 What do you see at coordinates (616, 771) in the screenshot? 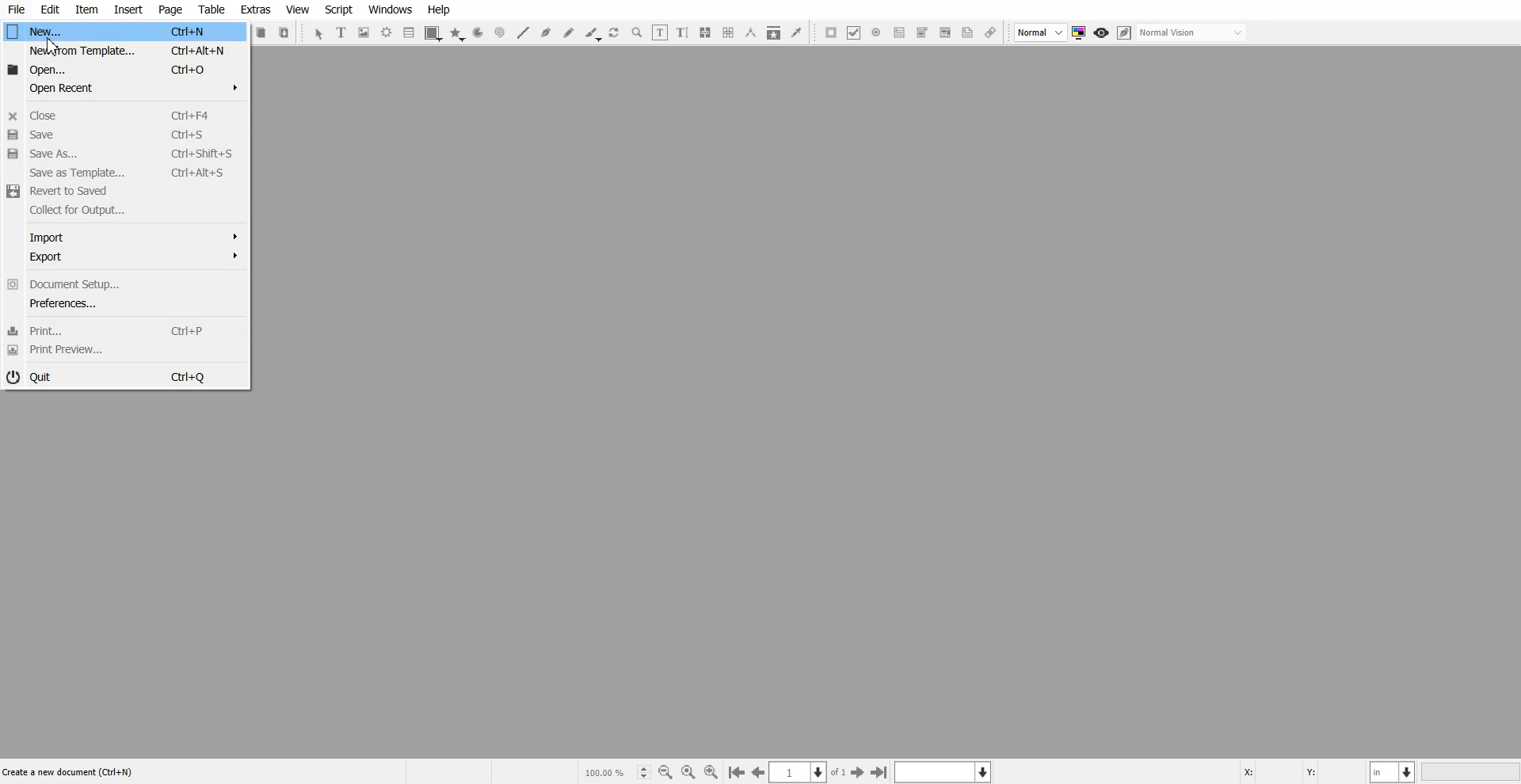
I see `Select current zoom` at bounding box center [616, 771].